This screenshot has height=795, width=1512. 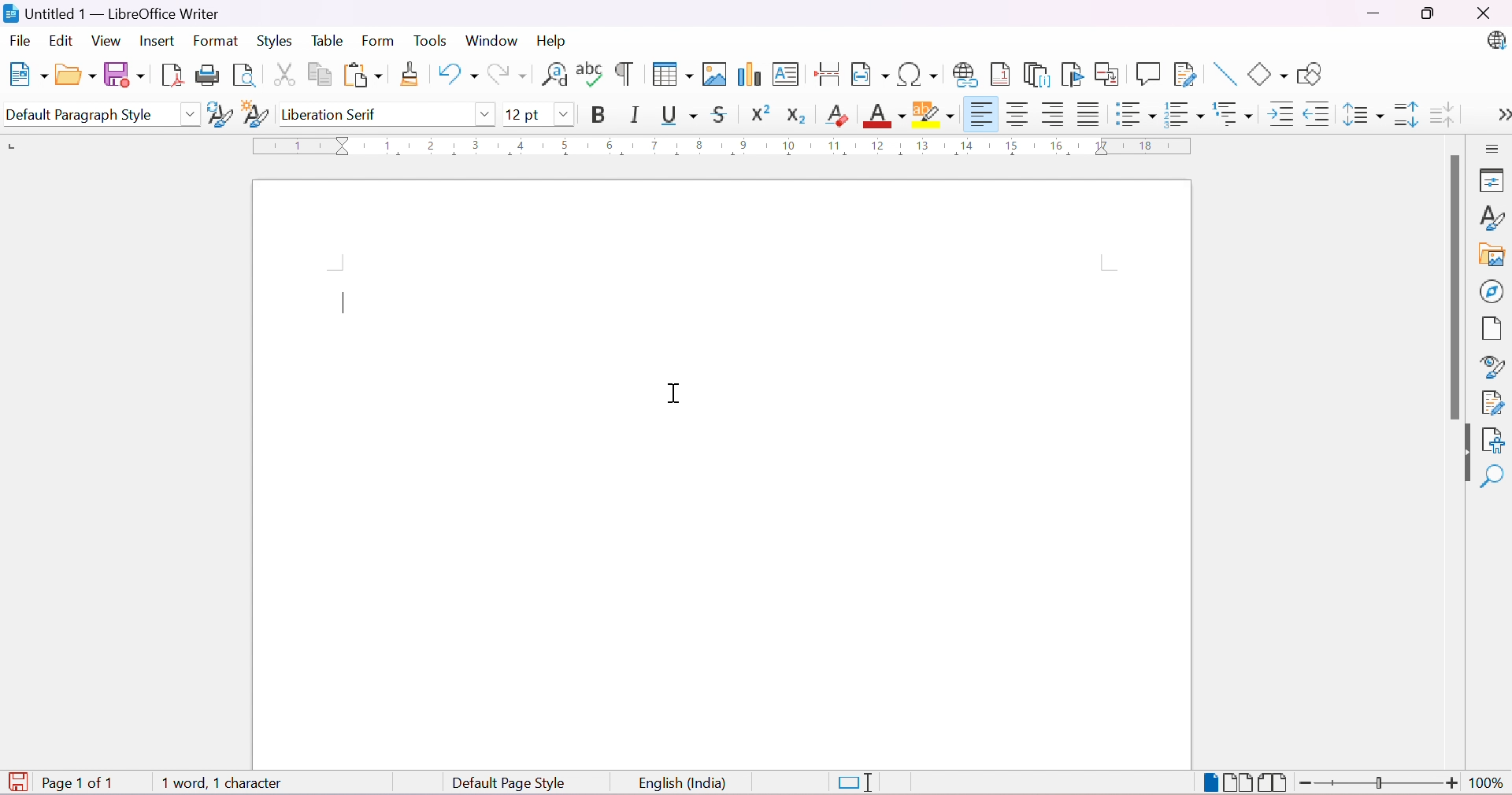 I want to click on Insert Hyperlink, so click(x=963, y=73).